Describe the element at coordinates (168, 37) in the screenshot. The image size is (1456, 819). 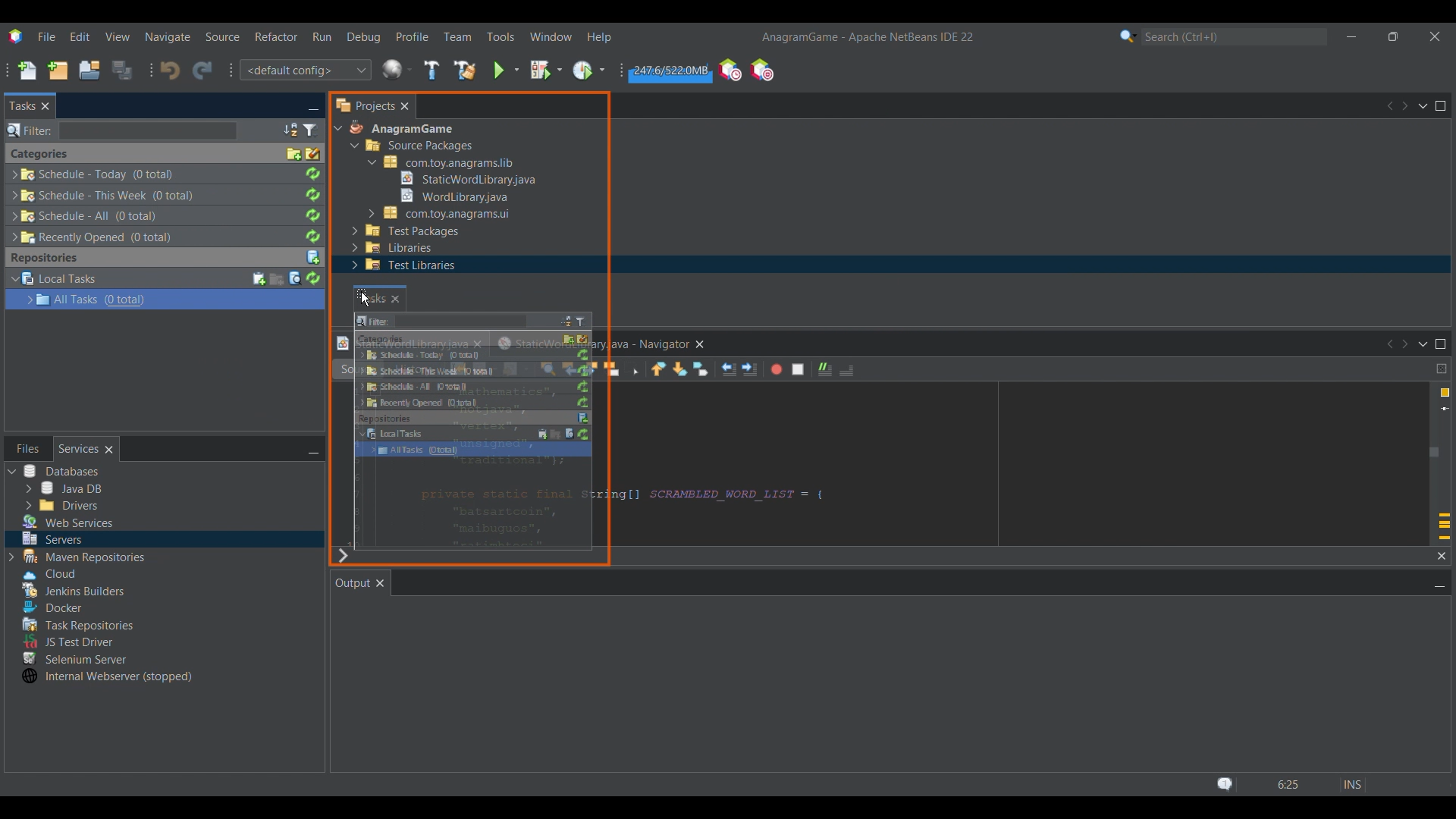
I see `Navigate menu` at that location.